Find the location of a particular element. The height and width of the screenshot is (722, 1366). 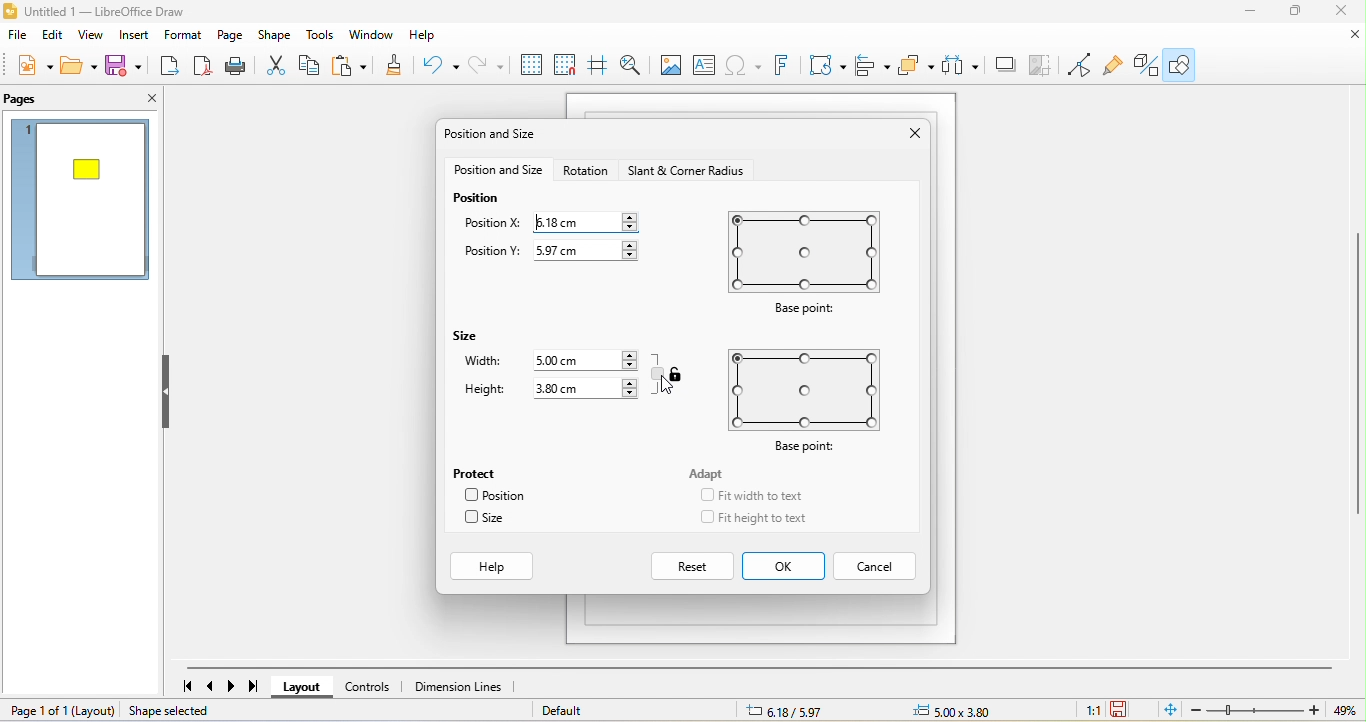

close is located at coordinates (1344, 14).